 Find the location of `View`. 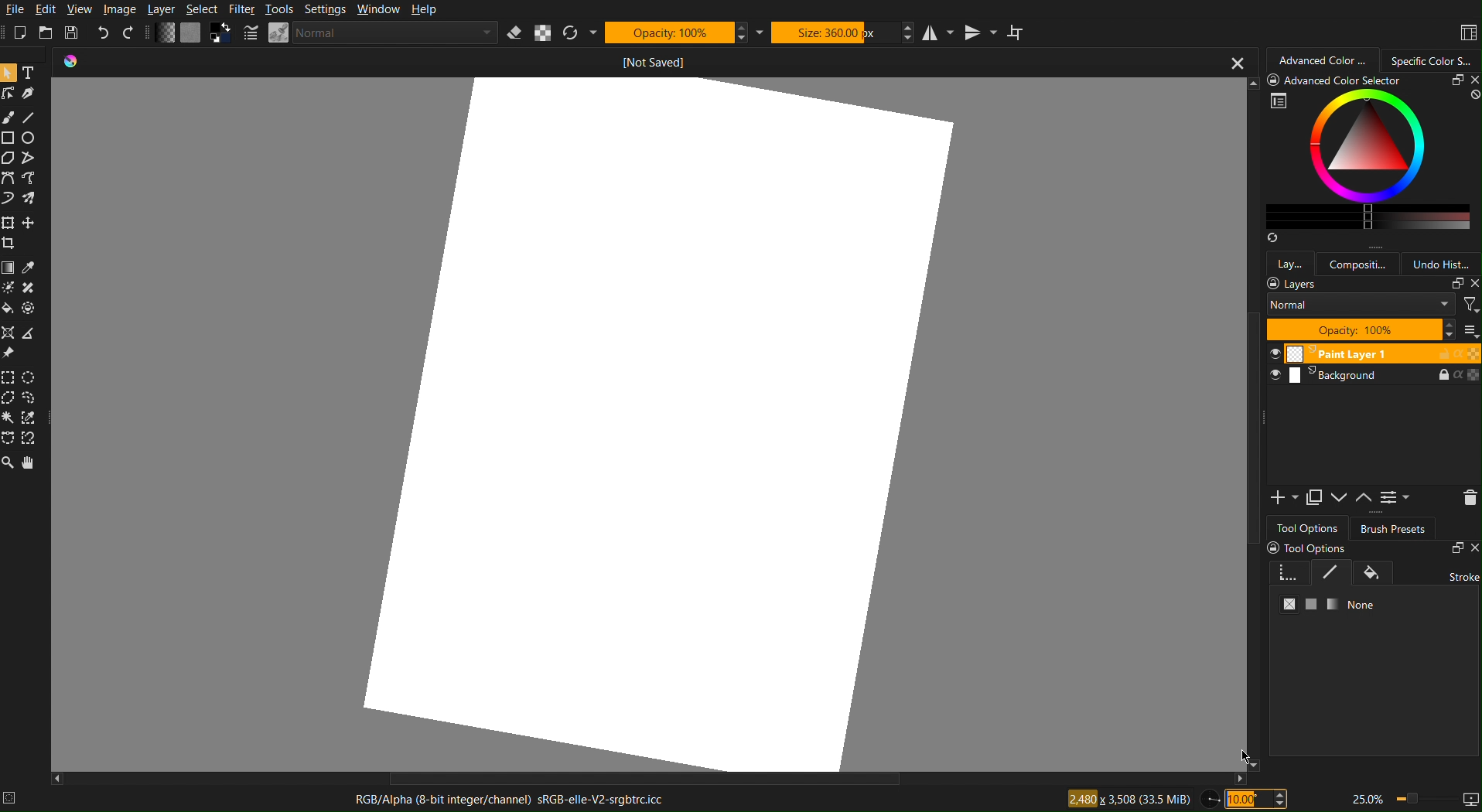

View is located at coordinates (80, 9).